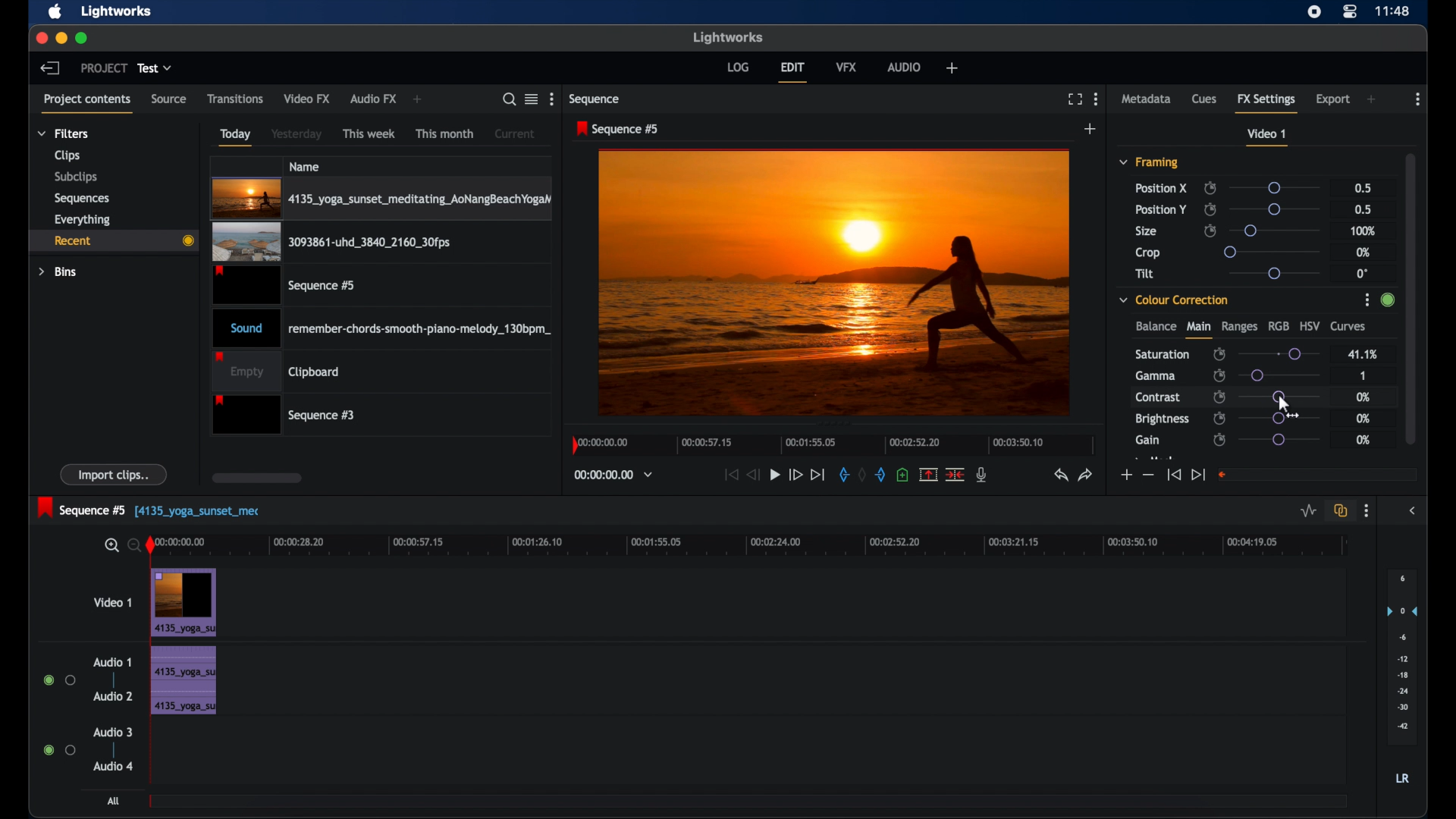 The image size is (1456, 819). Describe the element at coordinates (1362, 375) in the screenshot. I see `1` at that location.